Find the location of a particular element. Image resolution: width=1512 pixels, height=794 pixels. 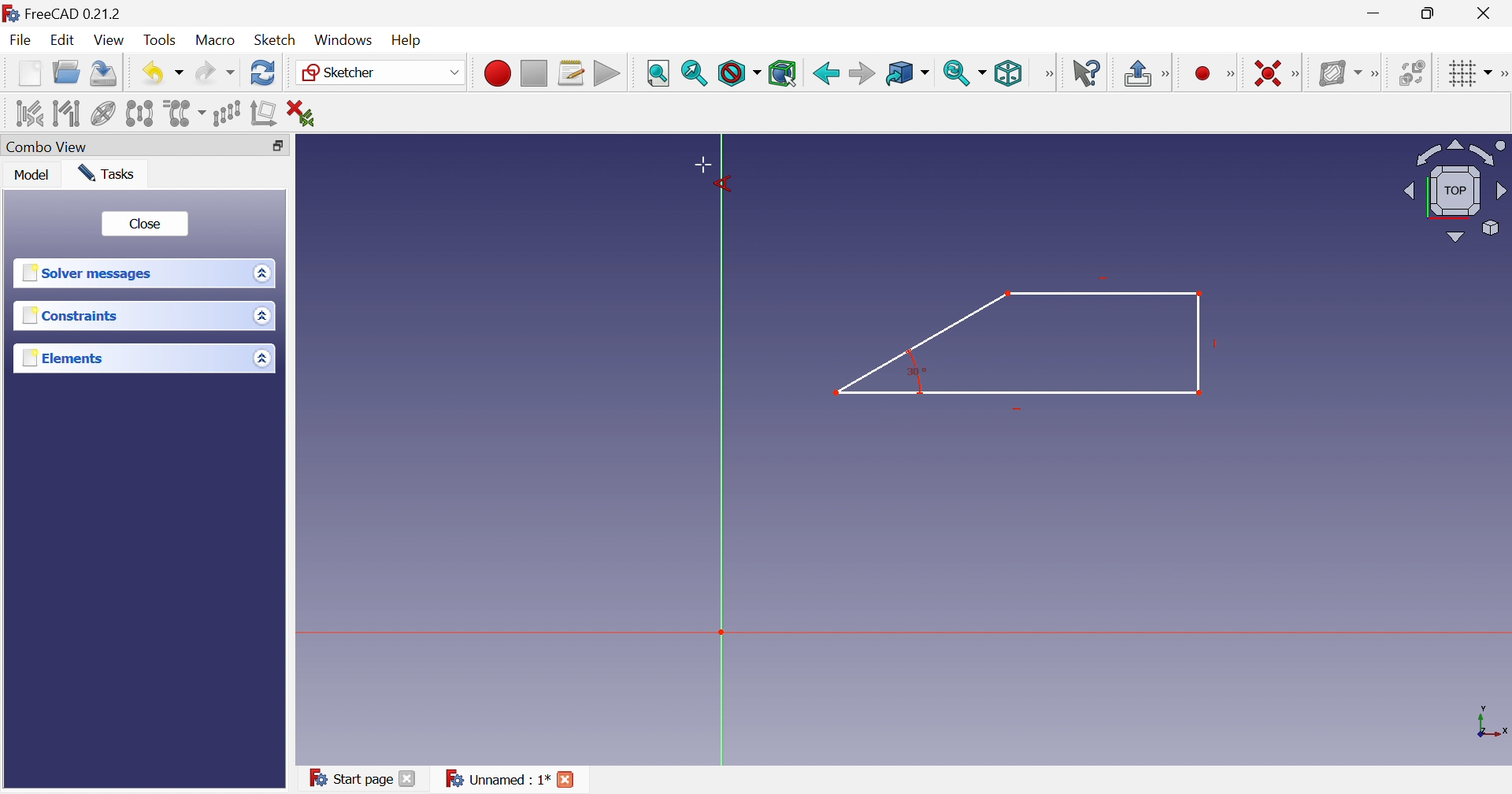

Close is located at coordinates (145, 222).